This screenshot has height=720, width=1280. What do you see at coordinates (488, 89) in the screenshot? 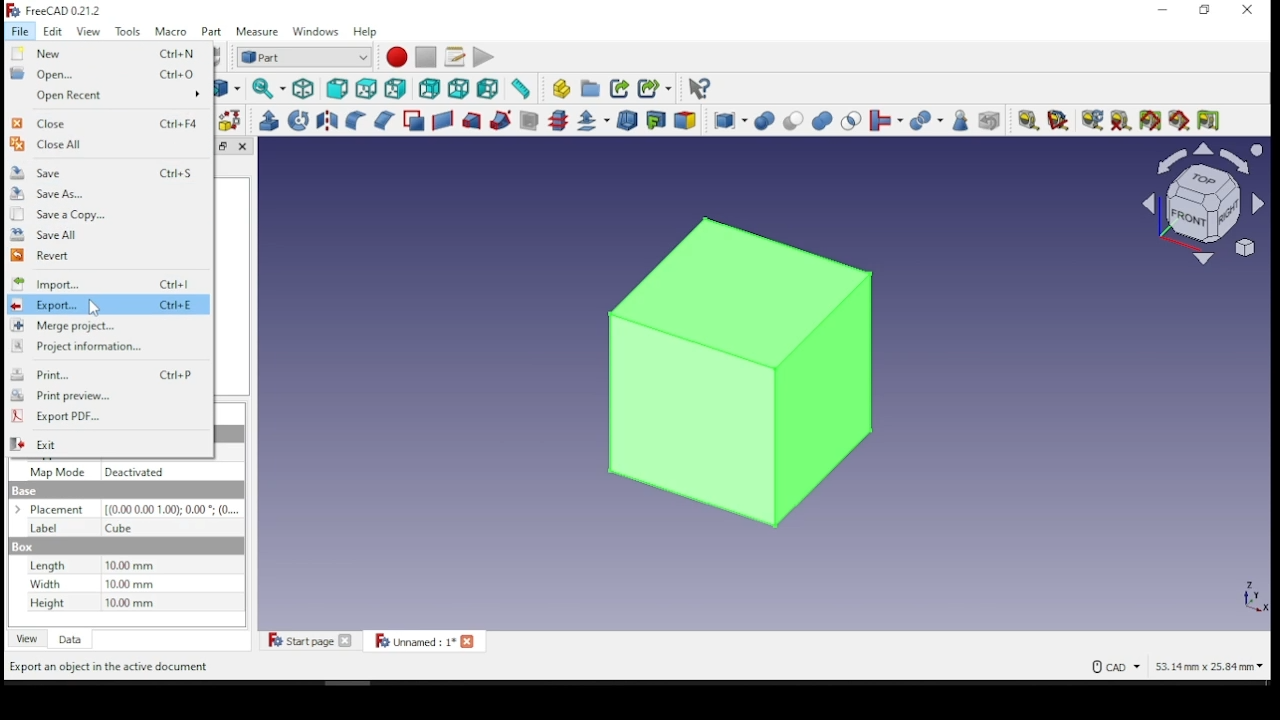
I see `left` at bounding box center [488, 89].